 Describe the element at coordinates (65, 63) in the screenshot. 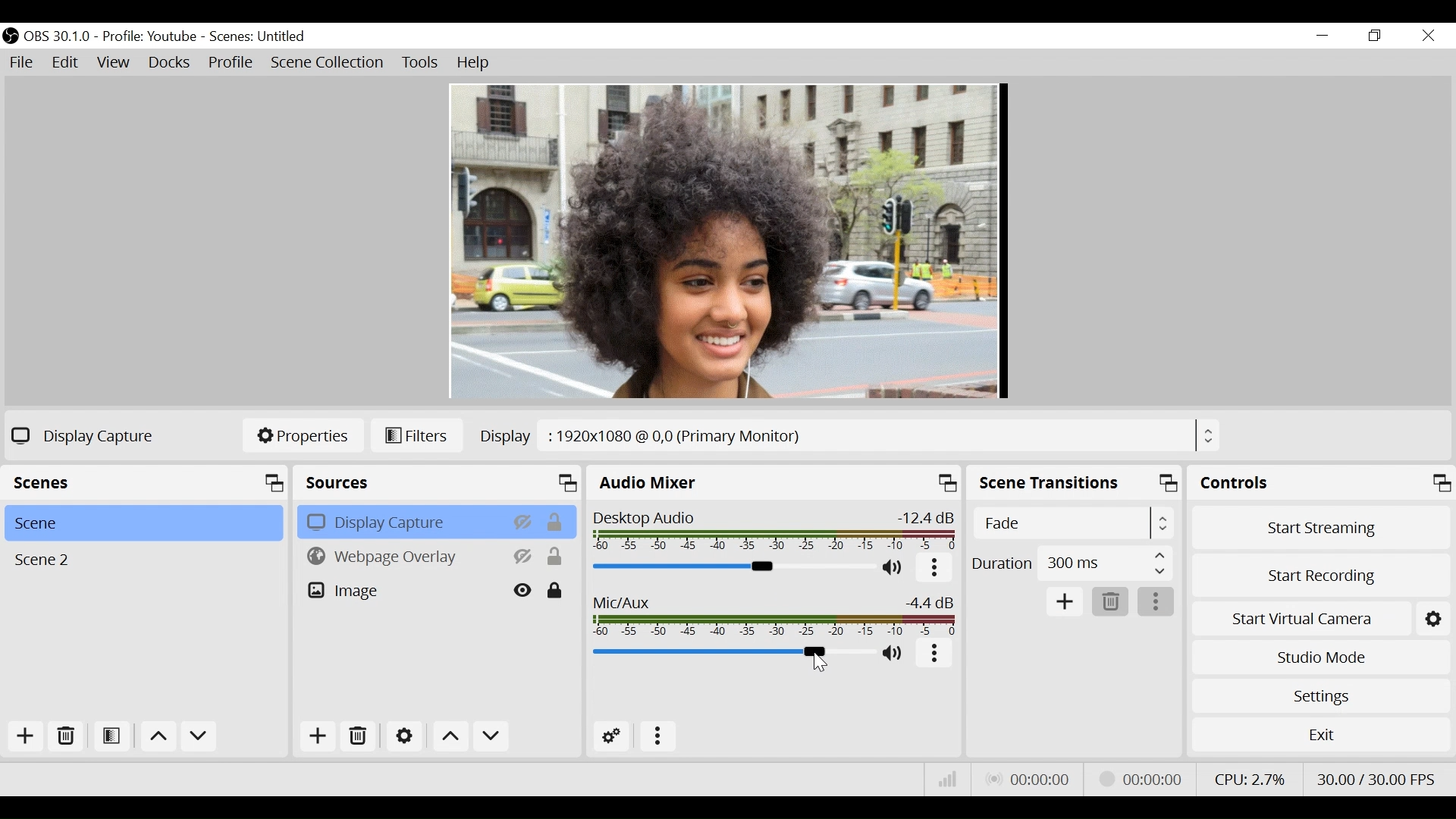

I see `Edit` at that location.